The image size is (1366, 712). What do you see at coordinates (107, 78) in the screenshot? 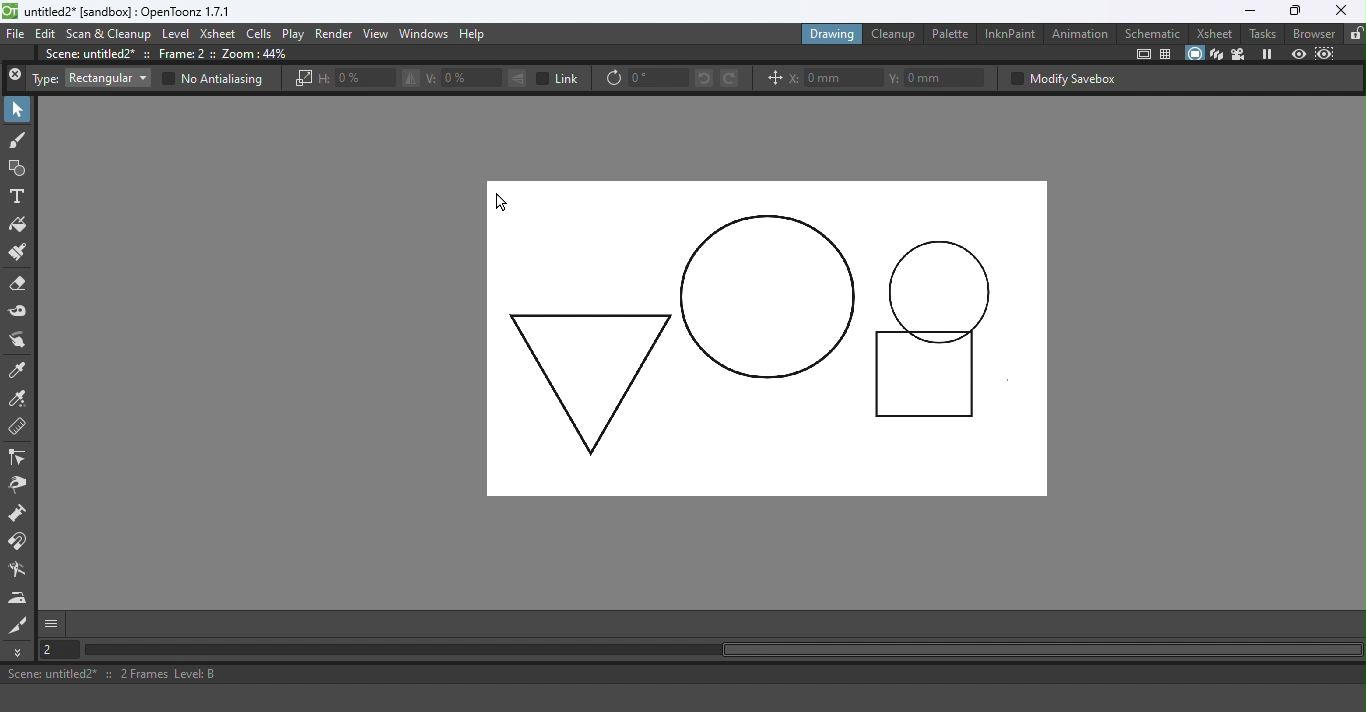
I see `Rectangular` at bounding box center [107, 78].